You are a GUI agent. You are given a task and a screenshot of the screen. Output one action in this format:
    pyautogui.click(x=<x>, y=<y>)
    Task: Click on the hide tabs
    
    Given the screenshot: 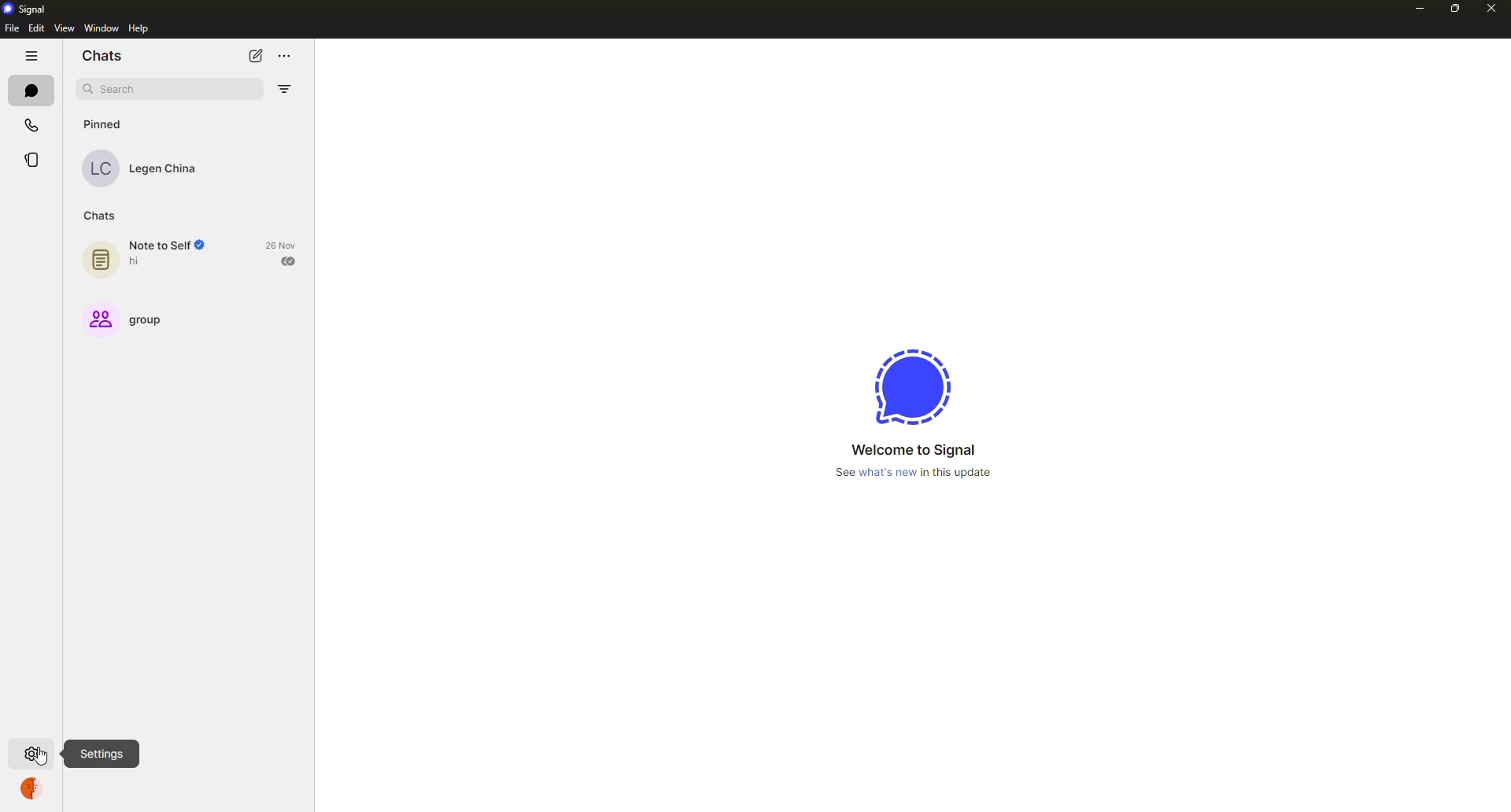 What is the action you would take?
    pyautogui.click(x=31, y=55)
    